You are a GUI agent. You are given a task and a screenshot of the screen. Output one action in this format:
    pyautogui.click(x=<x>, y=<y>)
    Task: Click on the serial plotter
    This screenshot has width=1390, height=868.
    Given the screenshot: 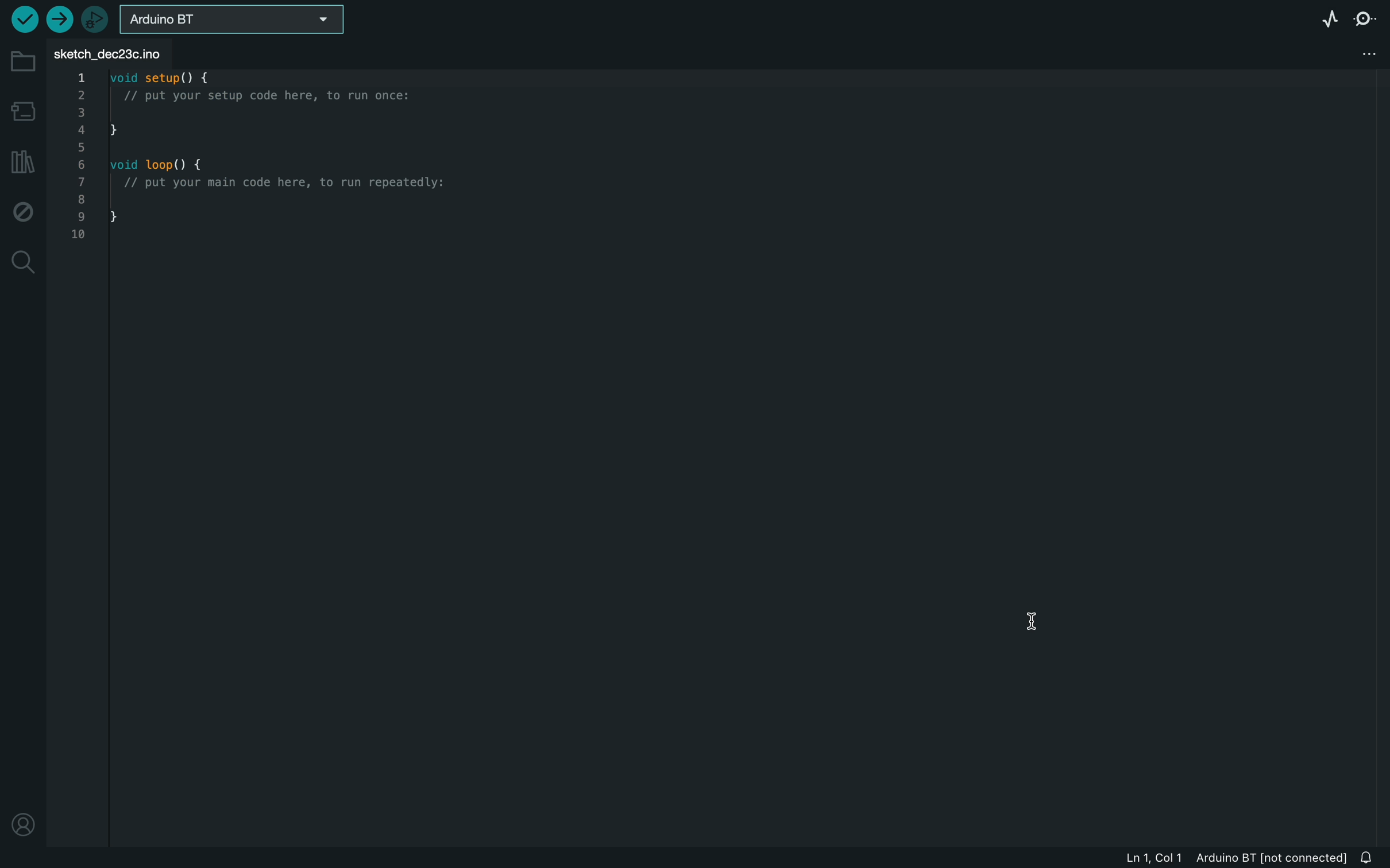 What is the action you would take?
    pyautogui.click(x=1323, y=18)
    